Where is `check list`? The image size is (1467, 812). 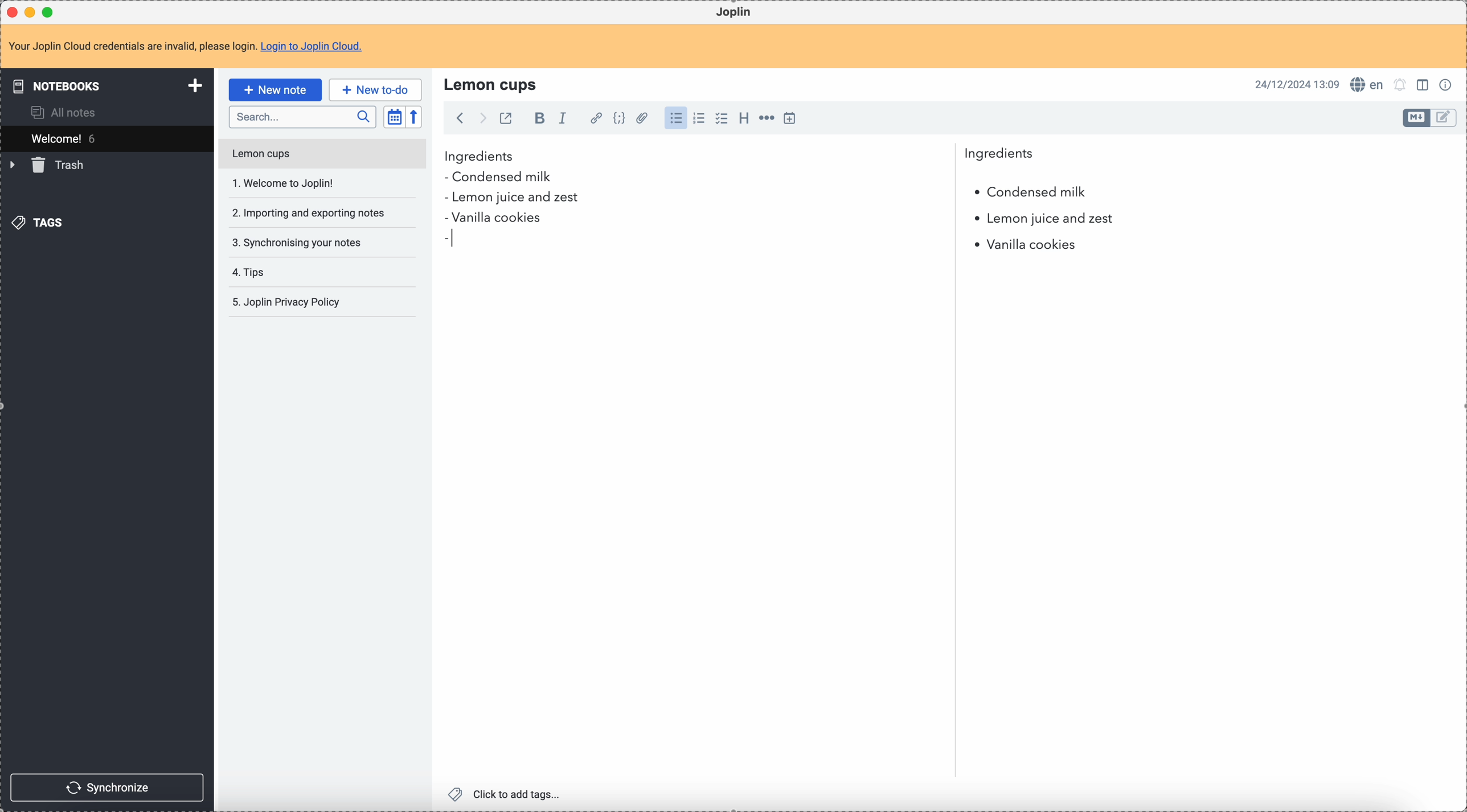 check list is located at coordinates (721, 118).